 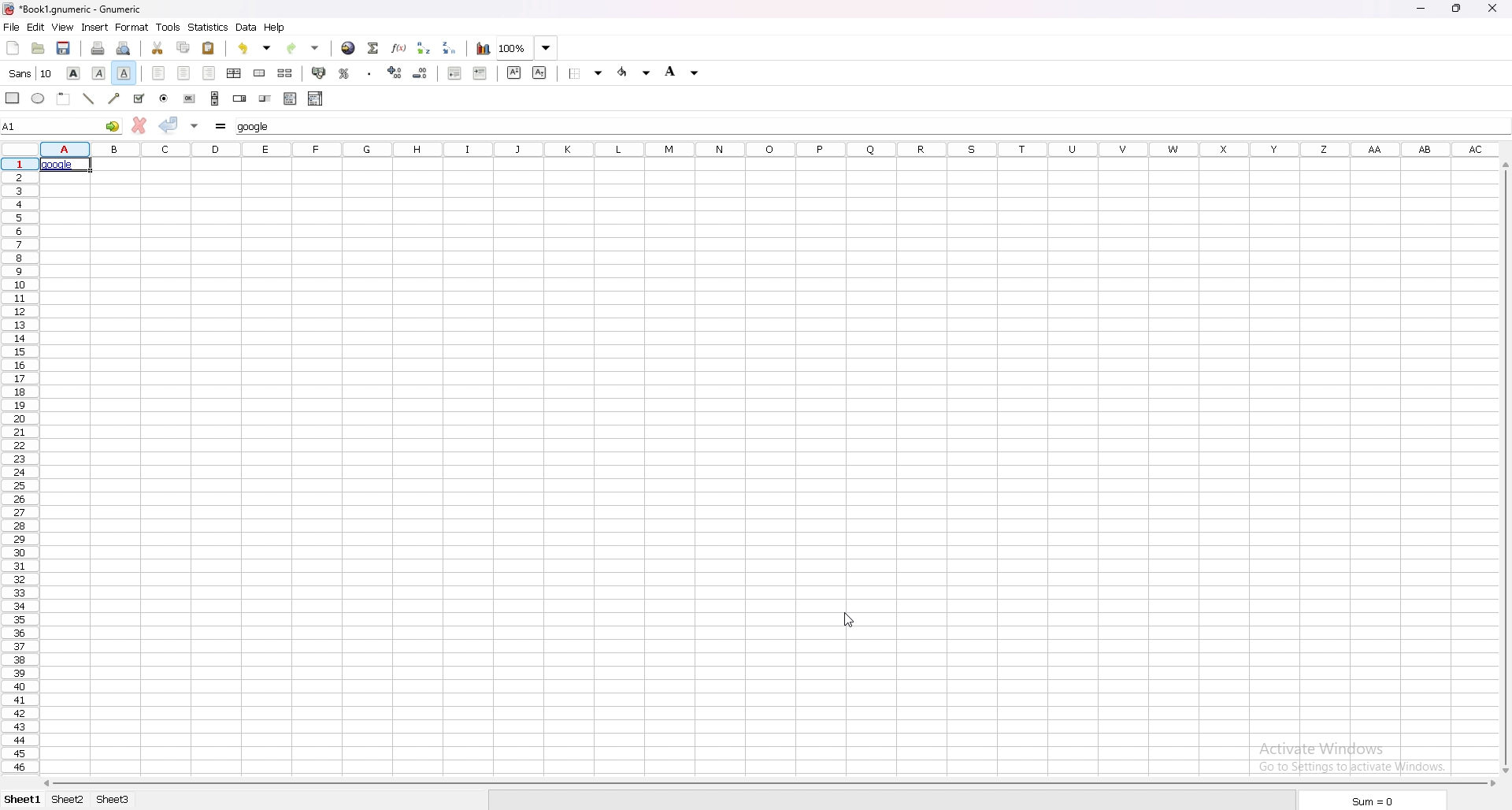 I want to click on copy, so click(x=183, y=47).